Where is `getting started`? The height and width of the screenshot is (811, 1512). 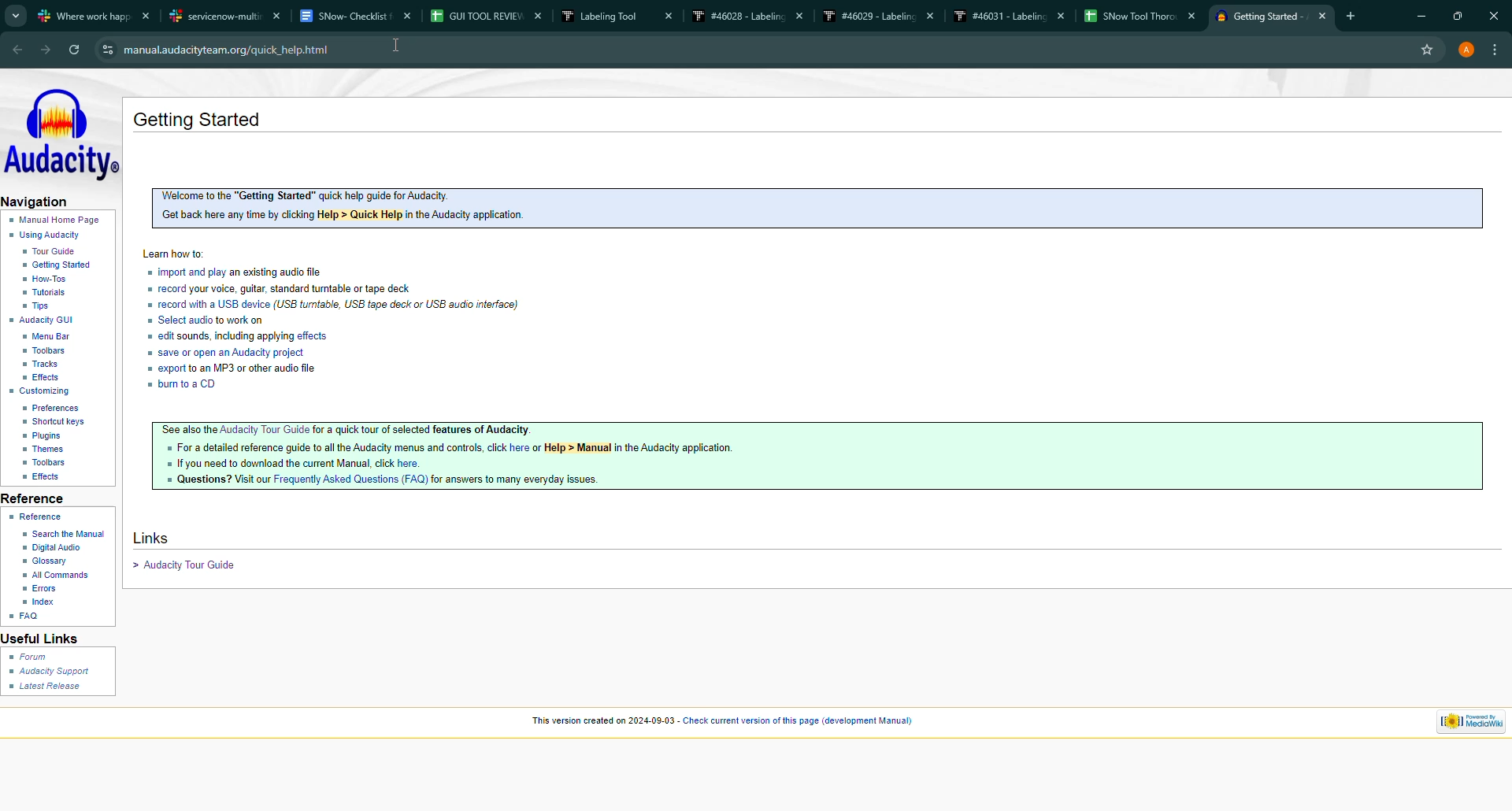
getting started is located at coordinates (204, 117).